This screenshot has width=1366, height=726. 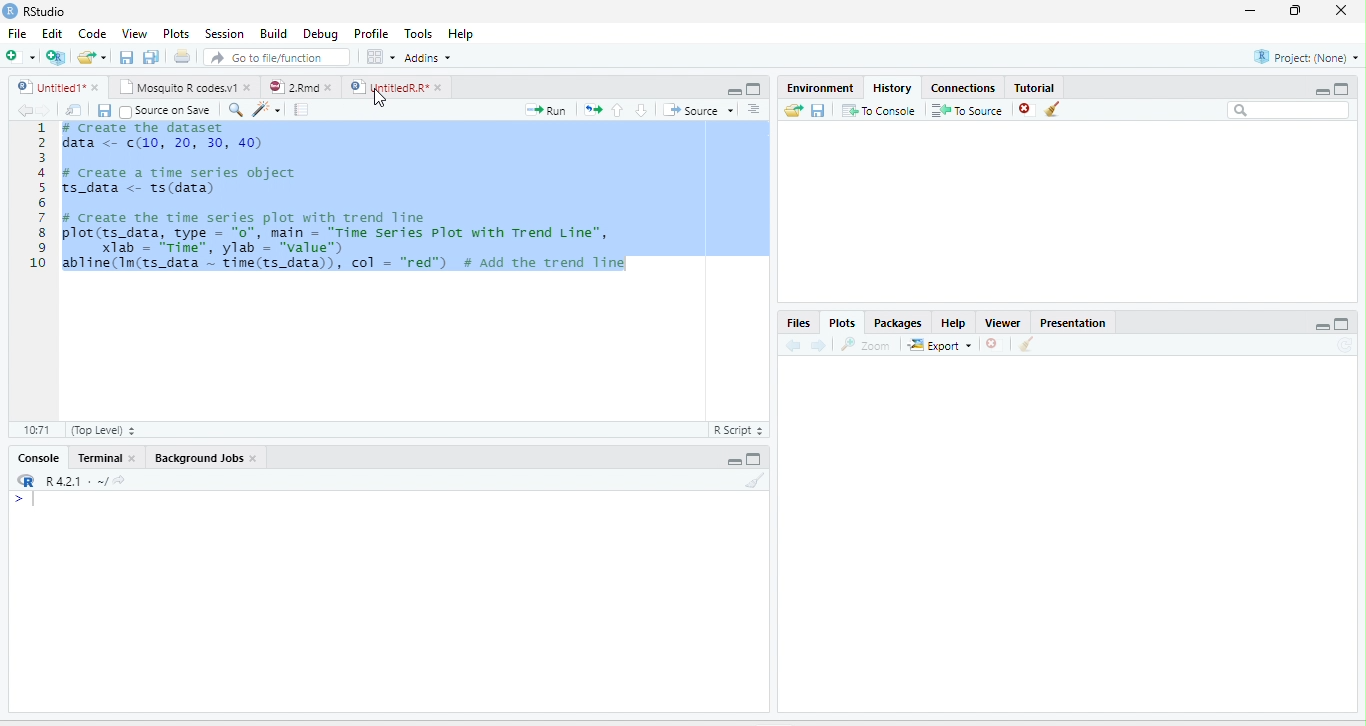 What do you see at coordinates (755, 89) in the screenshot?
I see `Maximize` at bounding box center [755, 89].